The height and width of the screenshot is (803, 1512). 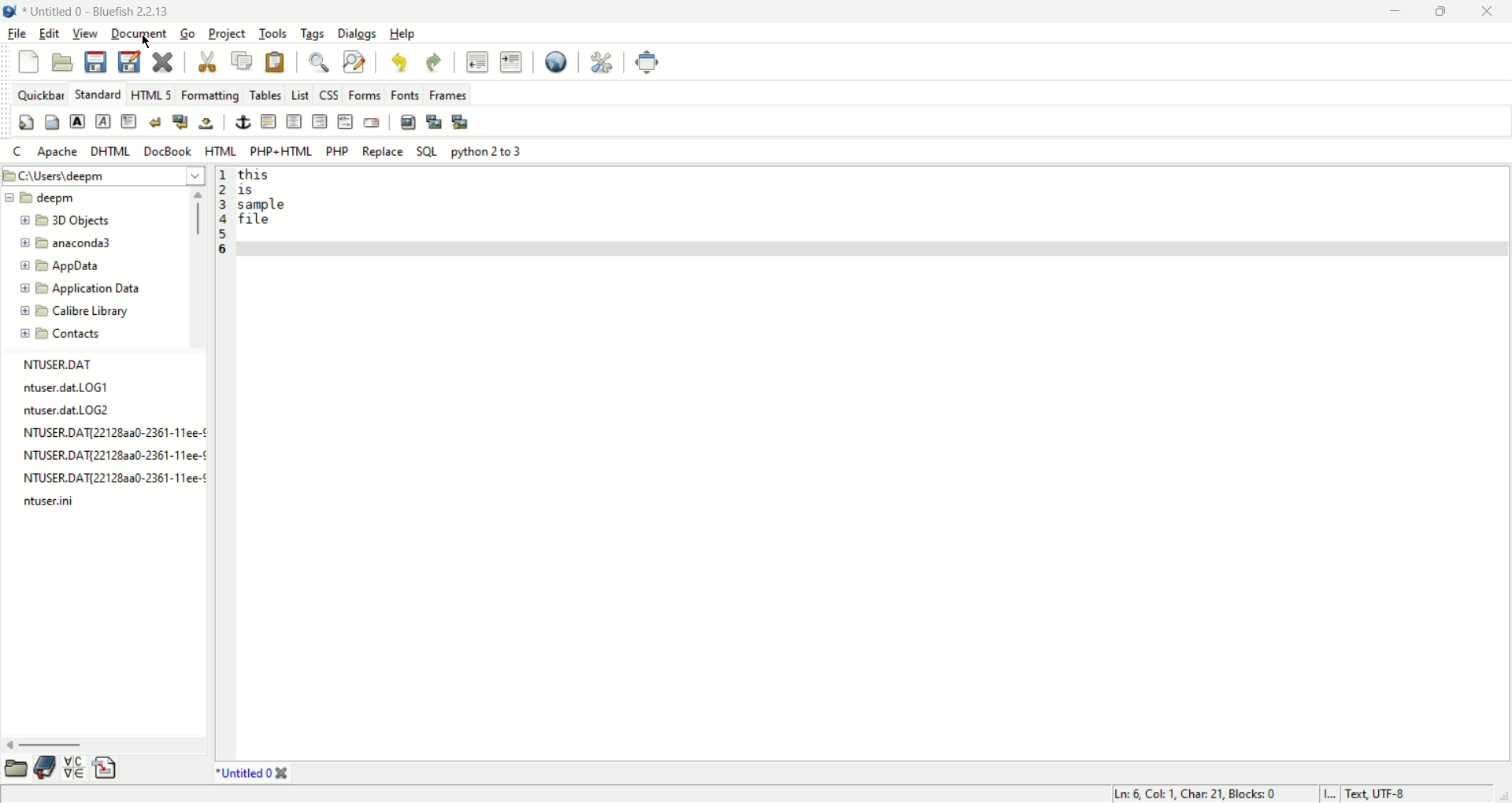 What do you see at coordinates (50, 123) in the screenshot?
I see `body` at bounding box center [50, 123].